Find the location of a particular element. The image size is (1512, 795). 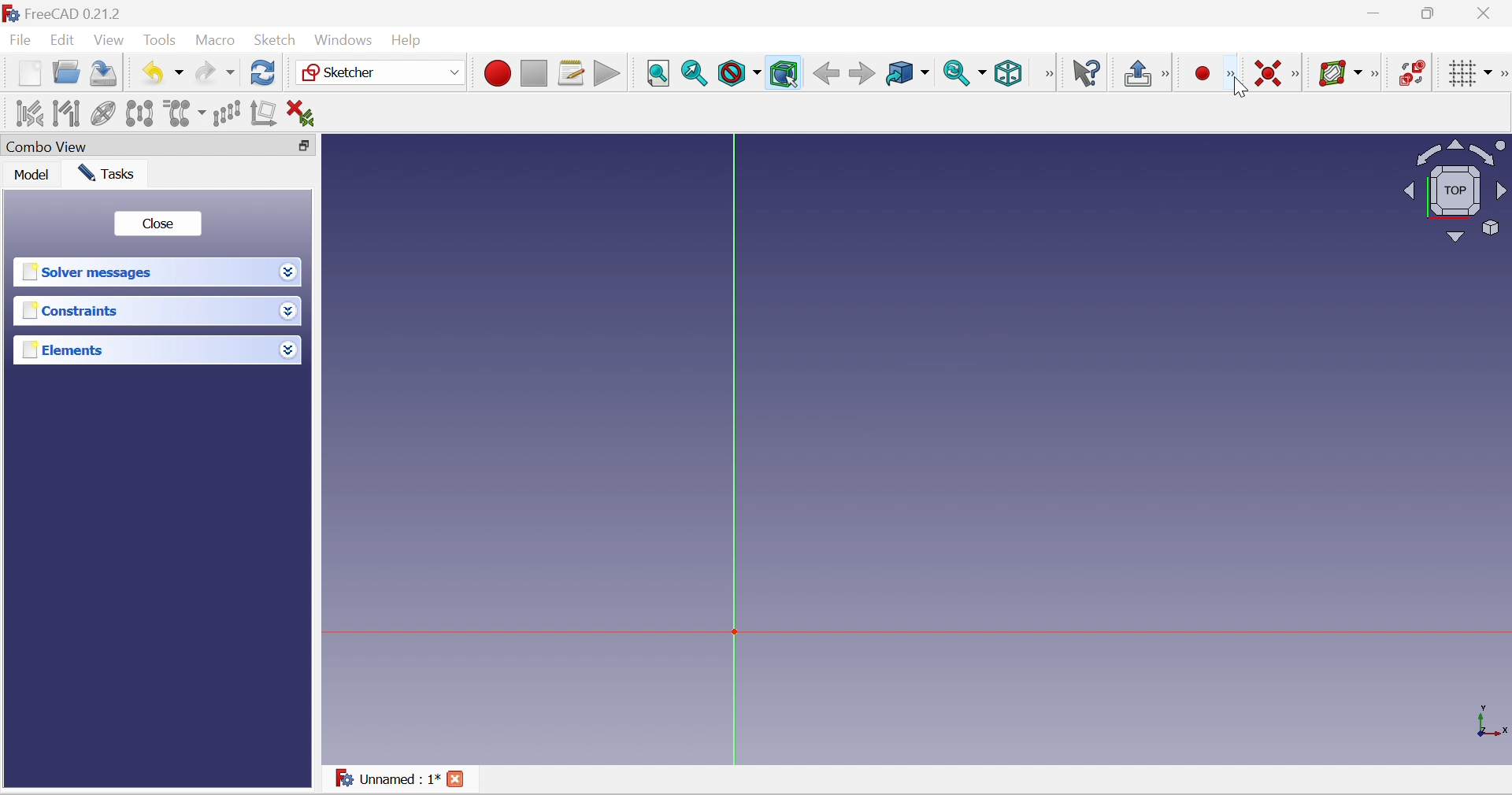

[Sketcher edit tools] is located at coordinates (1503, 75).